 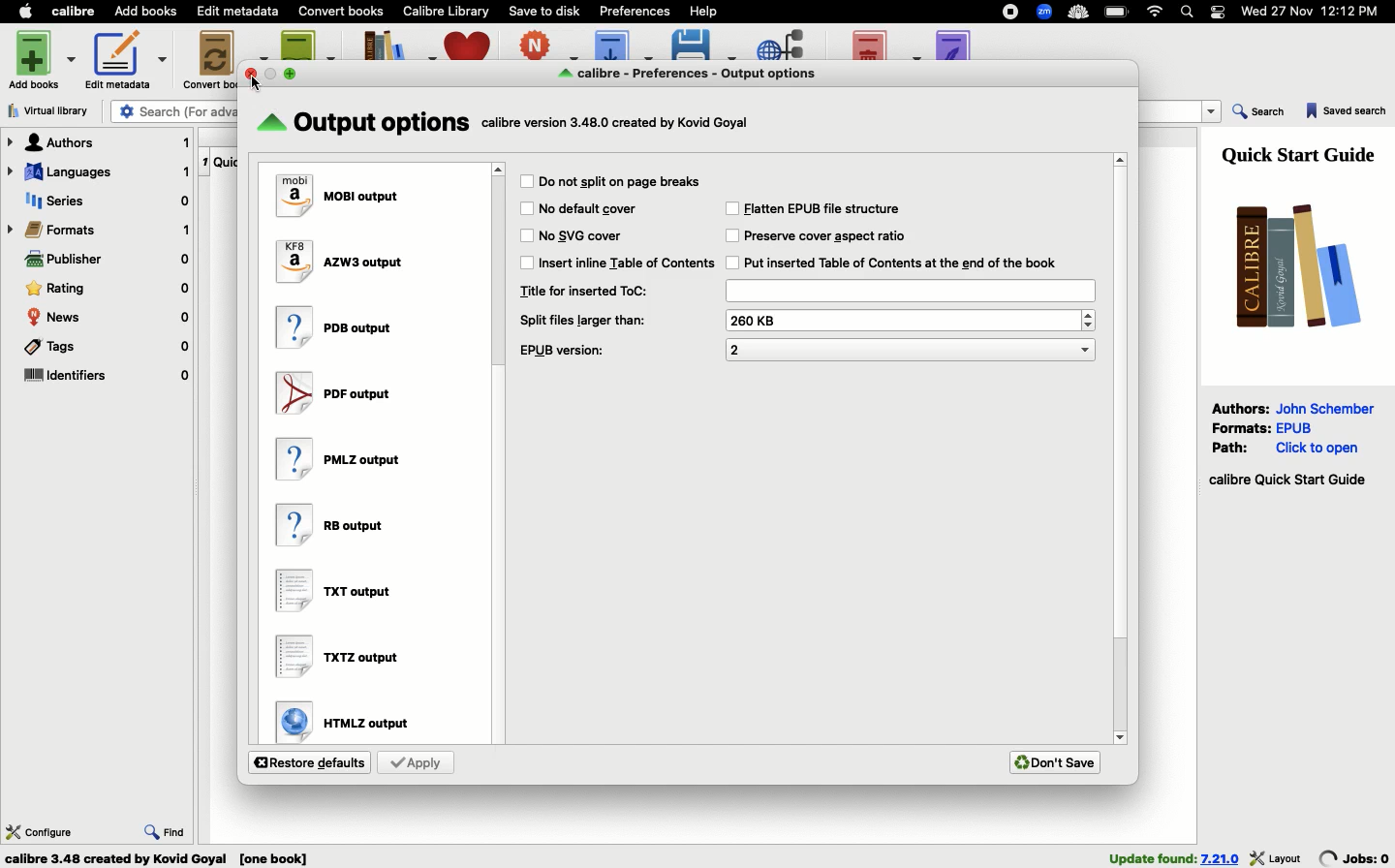 What do you see at coordinates (359, 720) in the screenshot?
I see `HTMLZ` at bounding box center [359, 720].